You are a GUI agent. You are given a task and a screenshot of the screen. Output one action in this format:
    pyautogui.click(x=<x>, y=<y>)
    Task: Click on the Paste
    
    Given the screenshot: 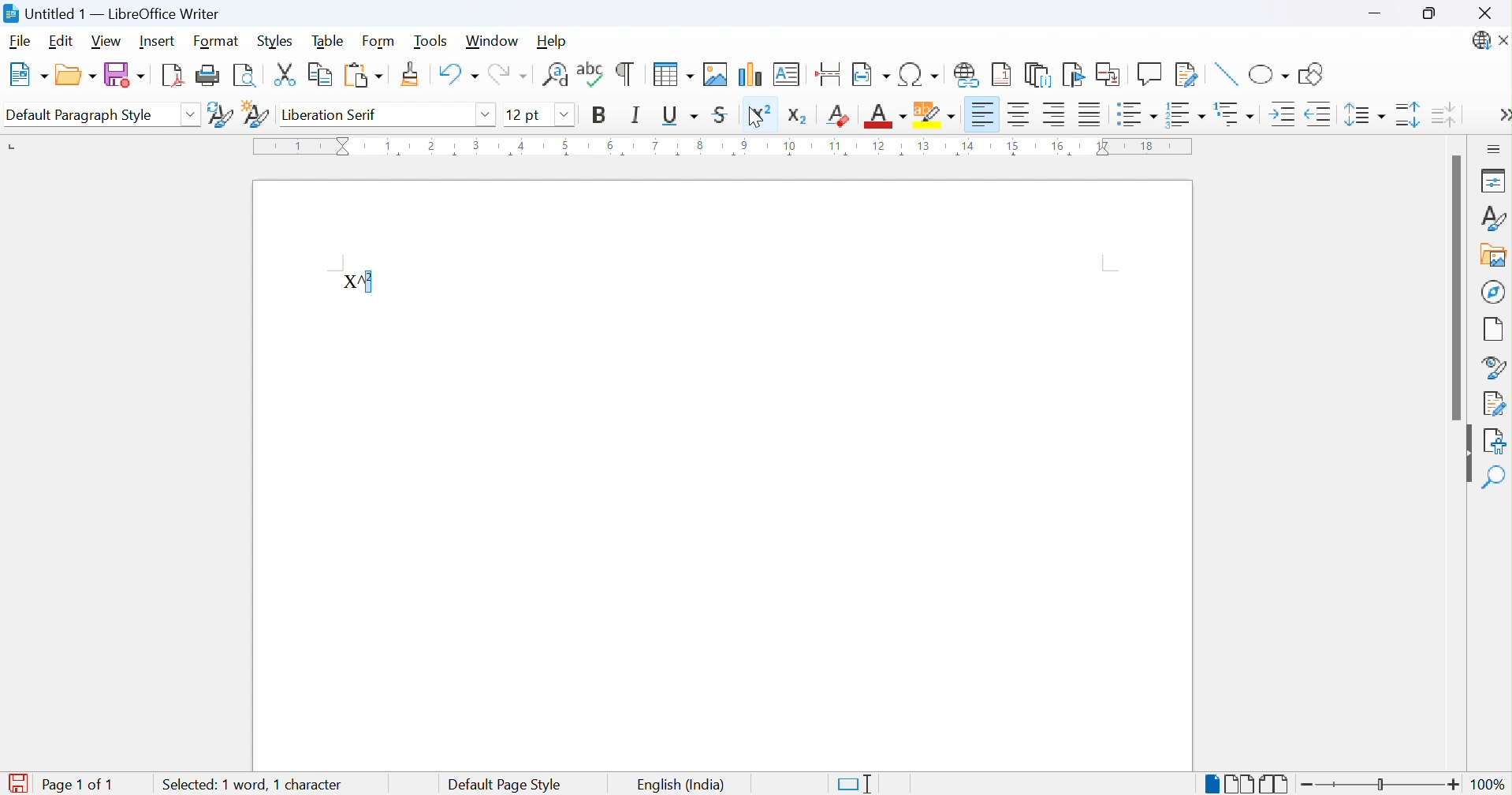 What is the action you would take?
    pyautogui.click(x=363, y=76)
    